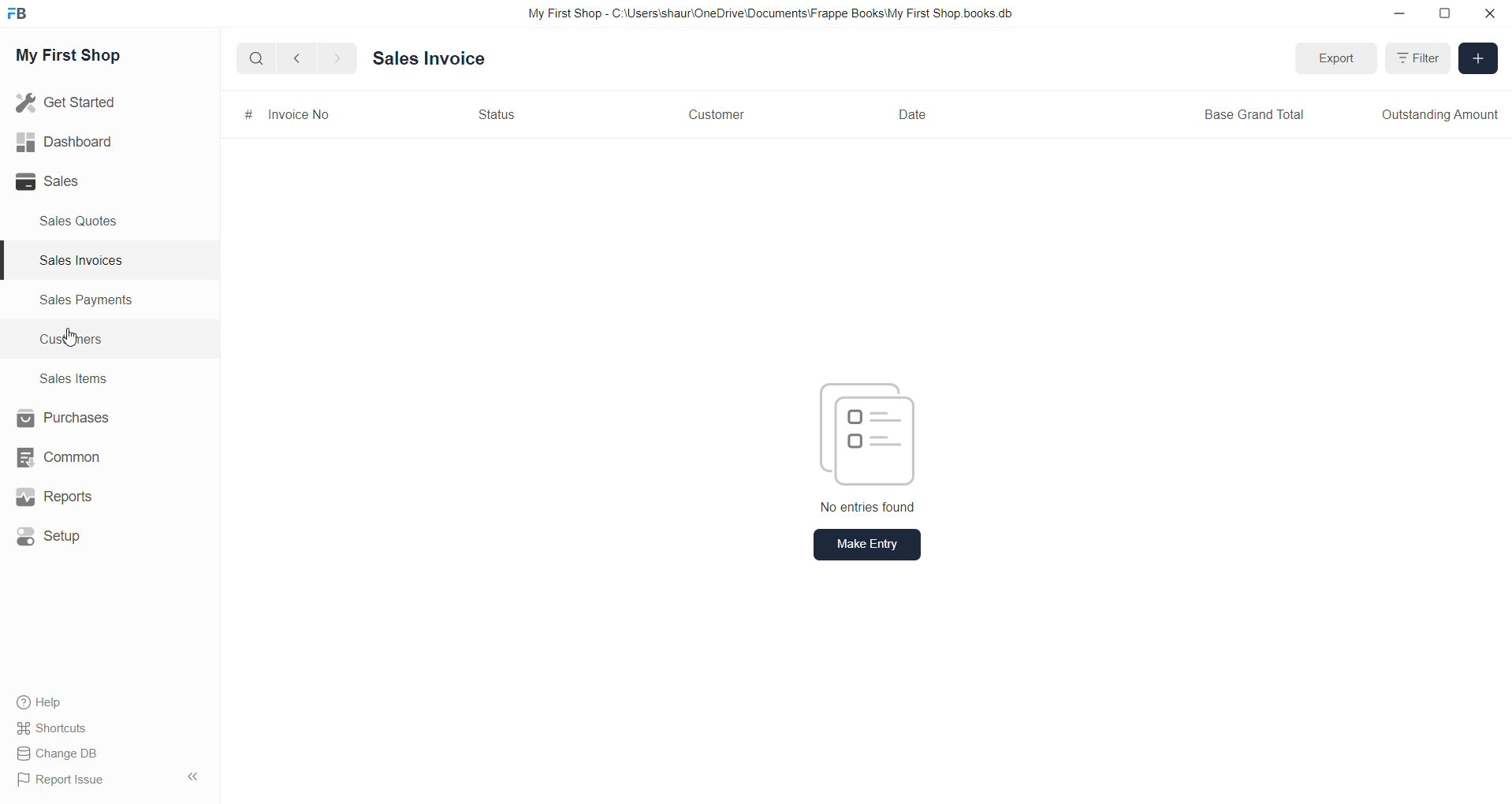 The image size is (1512, 804). I want to click on close, so click(1488, 14).